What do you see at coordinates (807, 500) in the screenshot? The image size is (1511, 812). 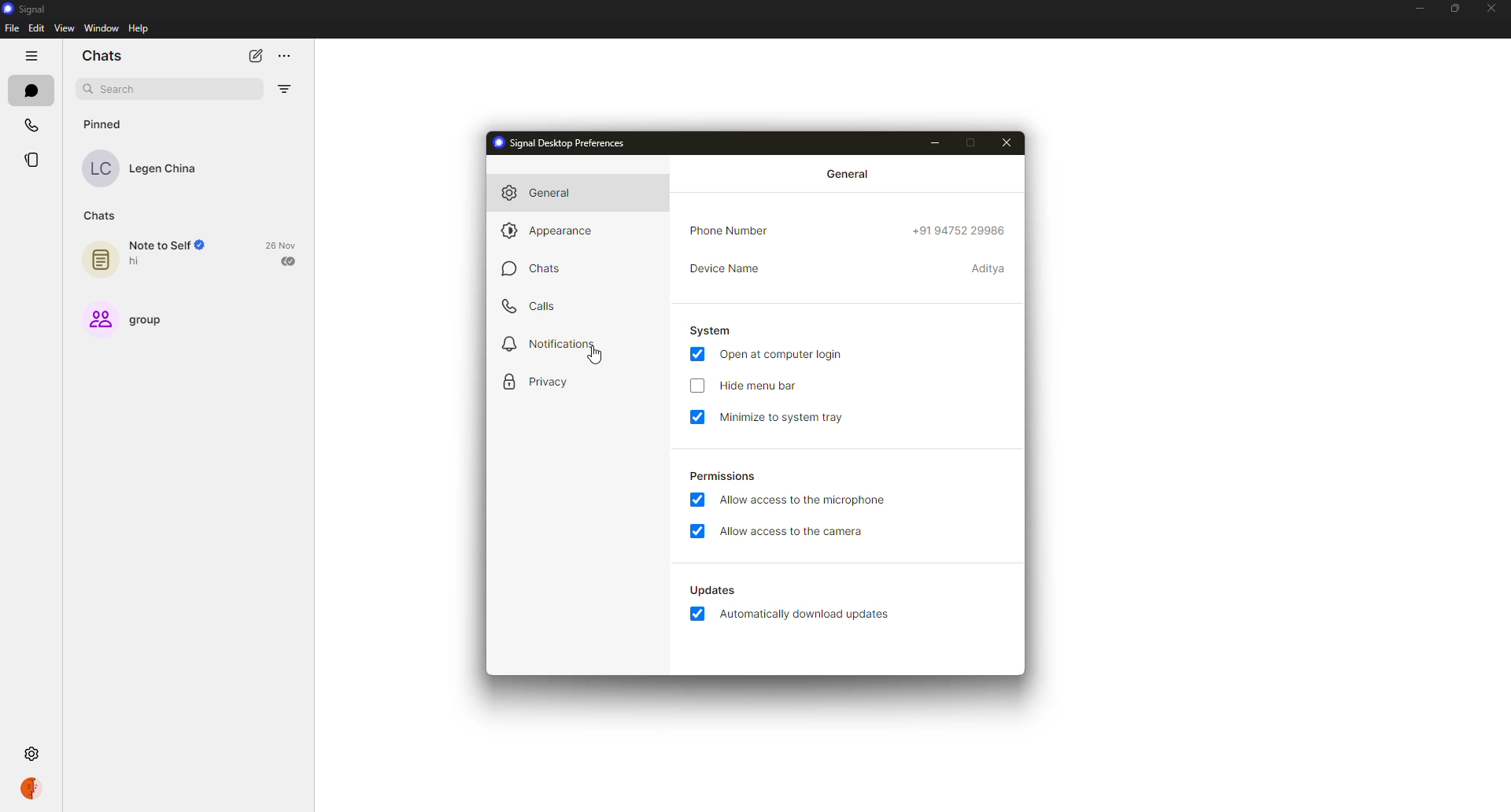 I see `allow access to microphone` at bounding box center [807, 500].